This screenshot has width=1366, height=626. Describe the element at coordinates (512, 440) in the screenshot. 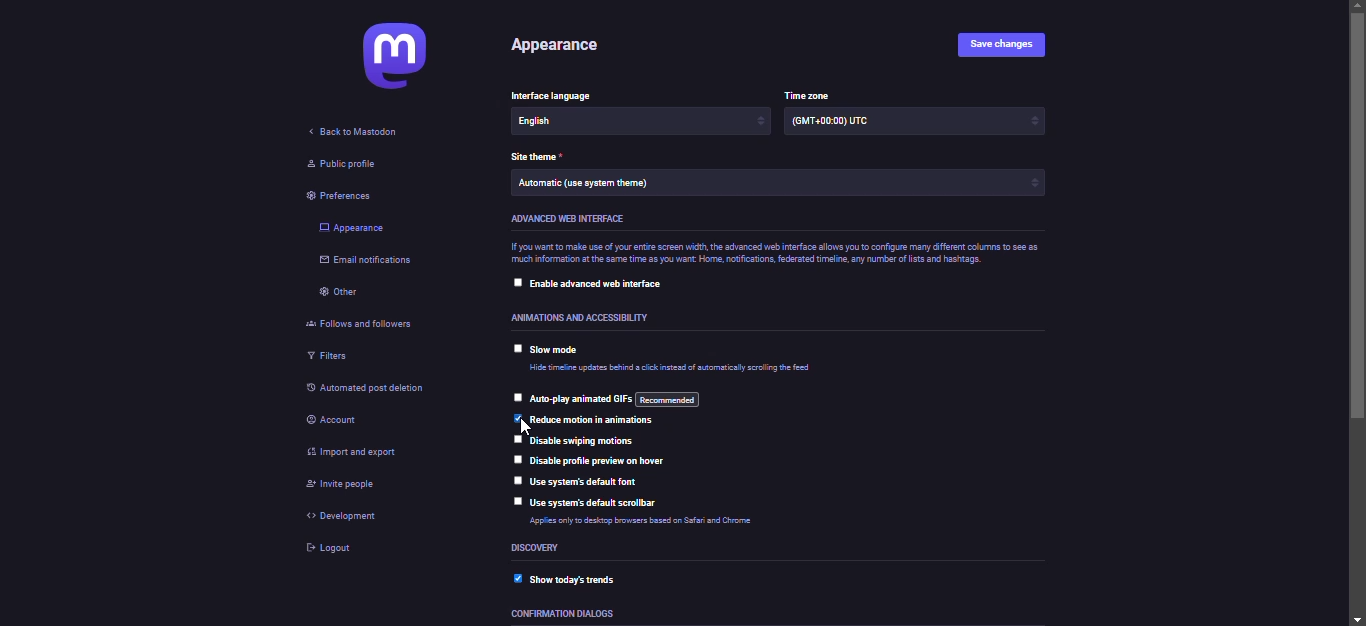

I see `click to select` at that location.